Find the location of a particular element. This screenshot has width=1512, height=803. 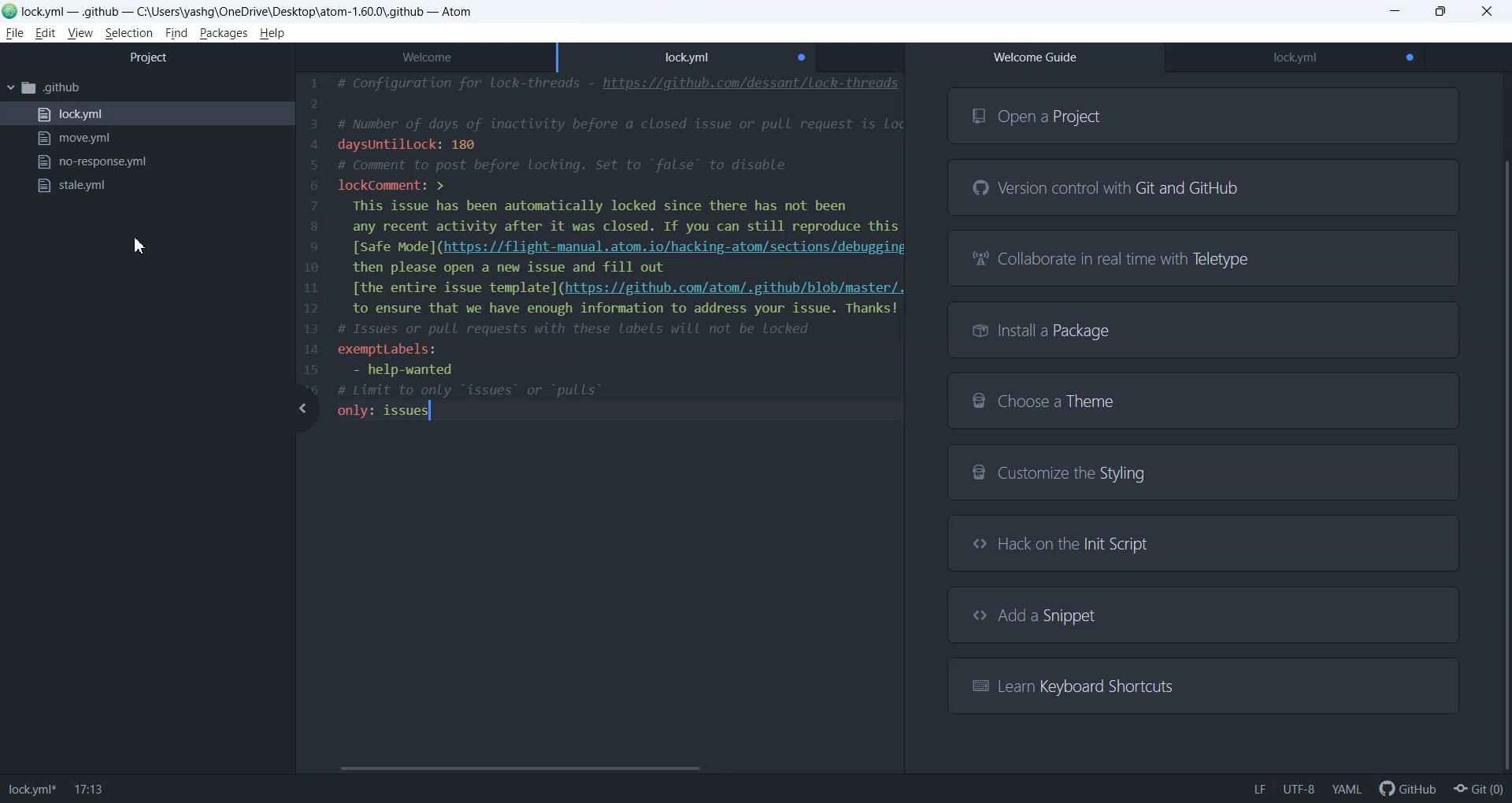

Install a Package is located at coordinates (1205, 329).